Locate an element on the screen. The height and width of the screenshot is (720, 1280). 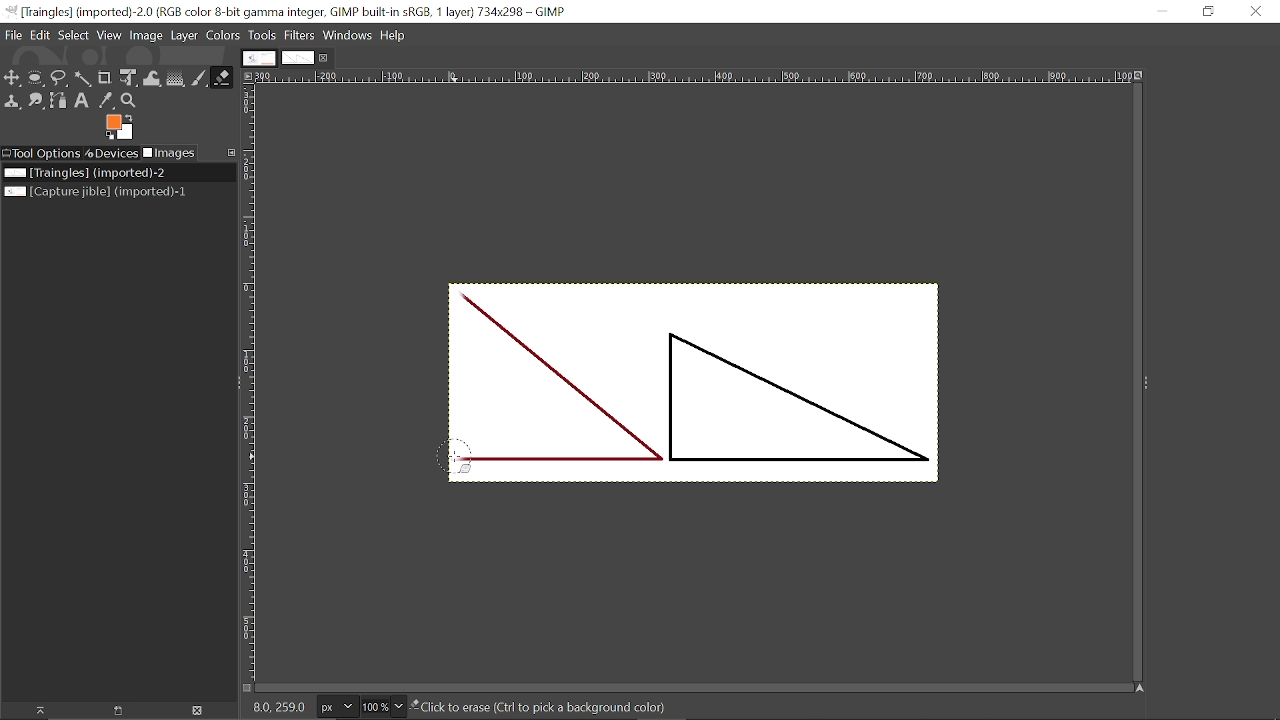
Foreground color is located at coordinates (121, 127).